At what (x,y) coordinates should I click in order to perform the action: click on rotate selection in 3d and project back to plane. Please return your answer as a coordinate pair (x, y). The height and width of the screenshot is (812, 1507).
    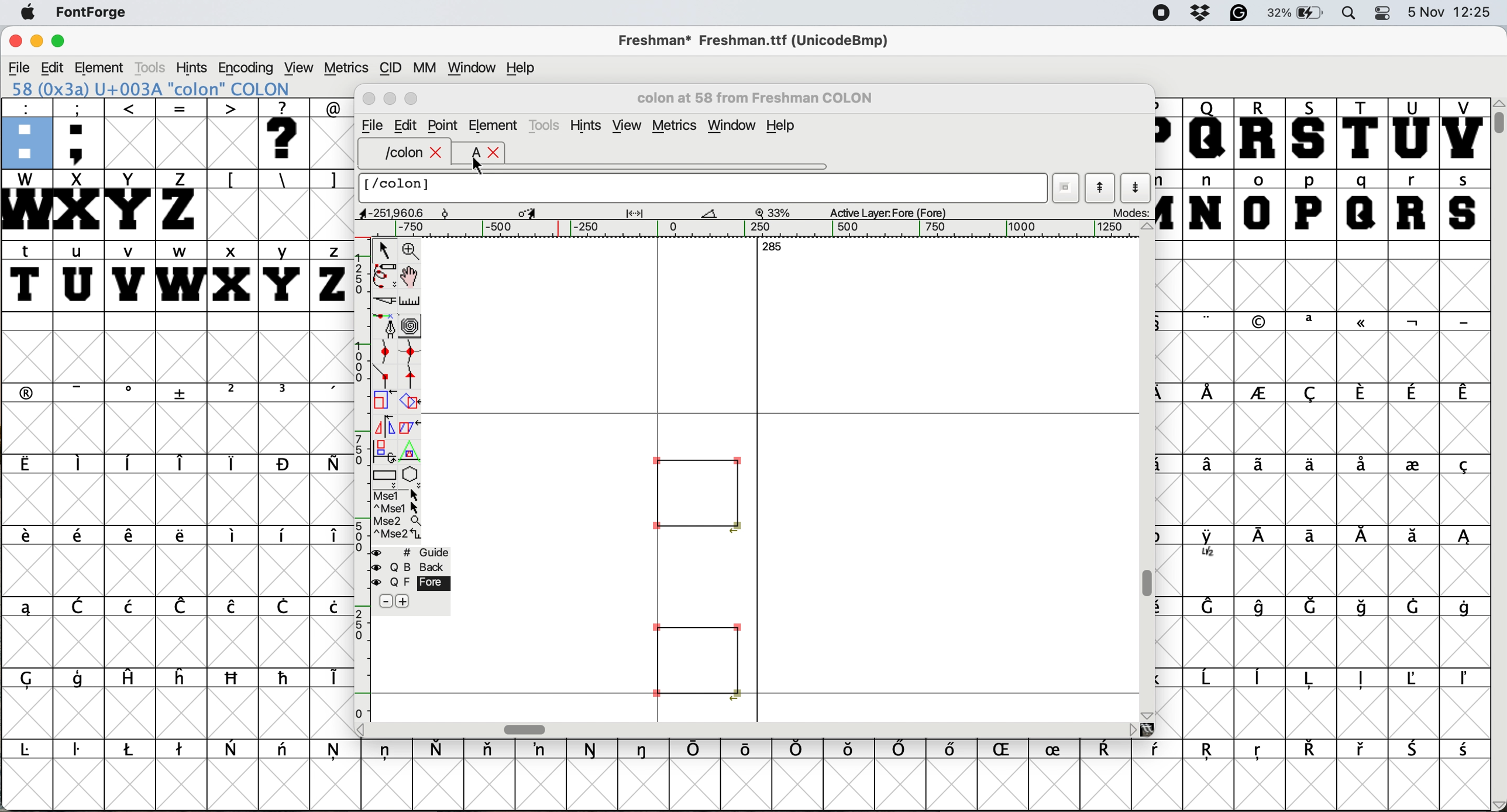
    Looking at the image, I should click on (384, 446).